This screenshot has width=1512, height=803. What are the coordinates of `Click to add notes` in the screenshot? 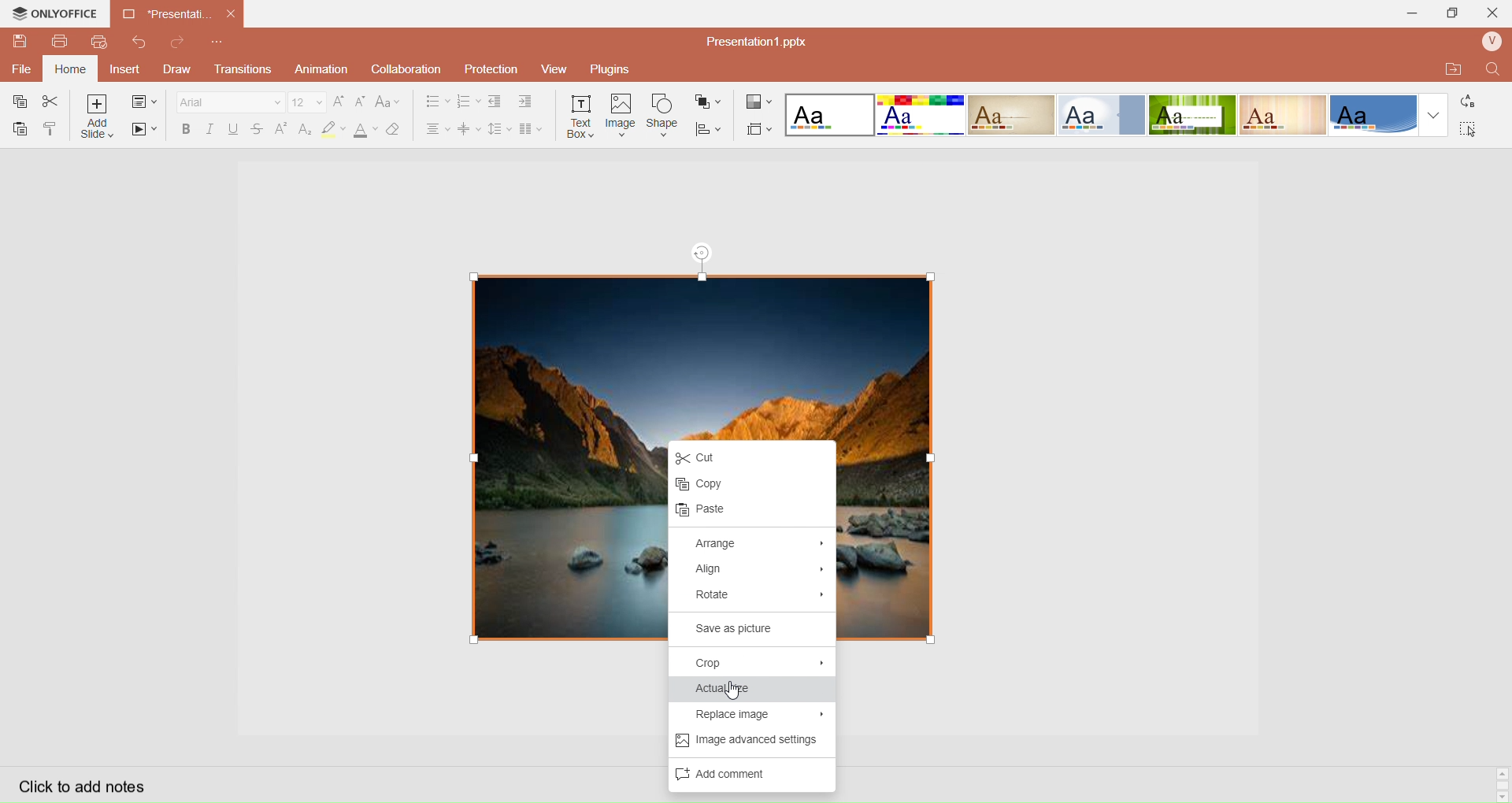 It's located at (87, 785).